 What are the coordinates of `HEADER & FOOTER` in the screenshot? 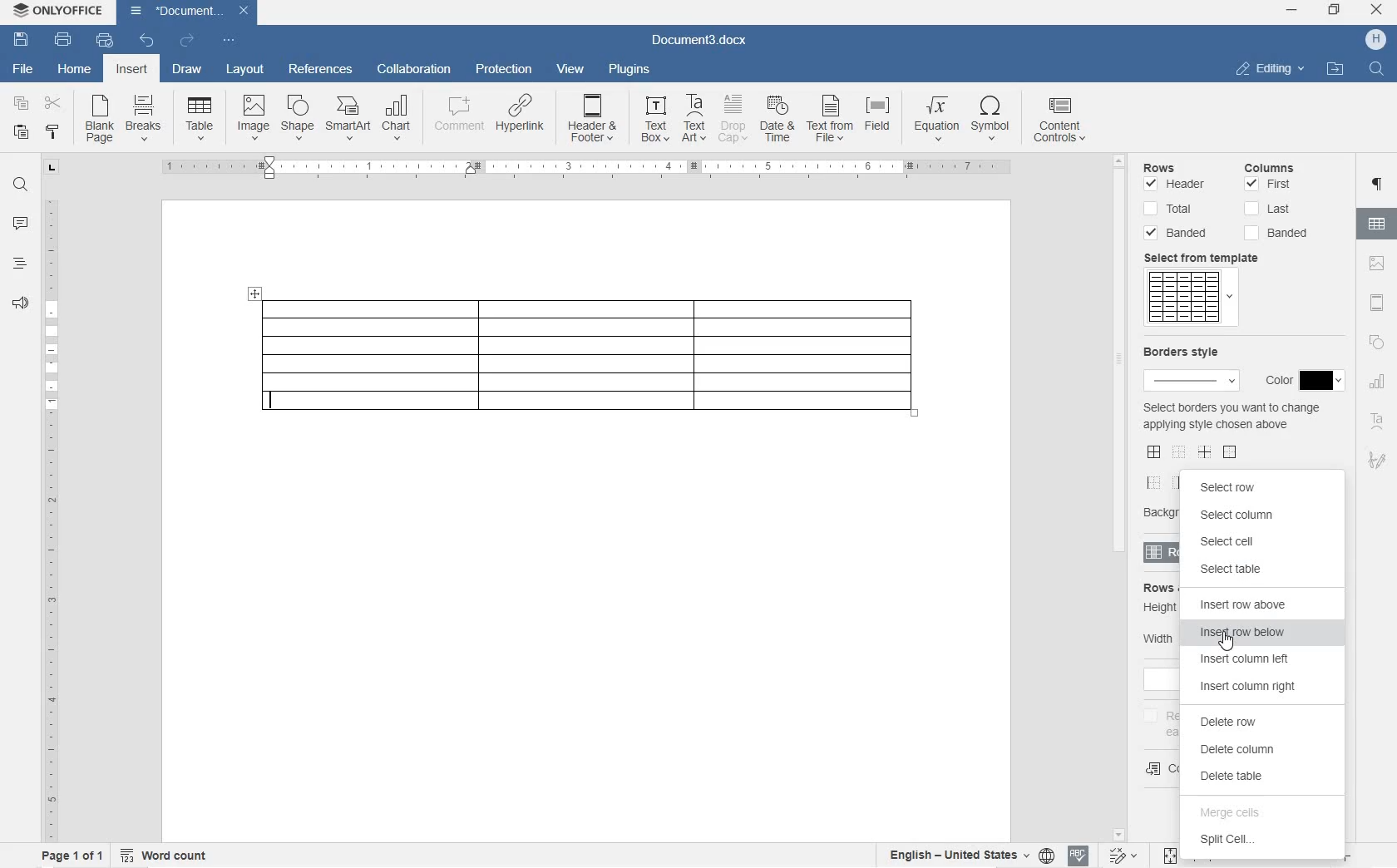 It's located at (592, 118).